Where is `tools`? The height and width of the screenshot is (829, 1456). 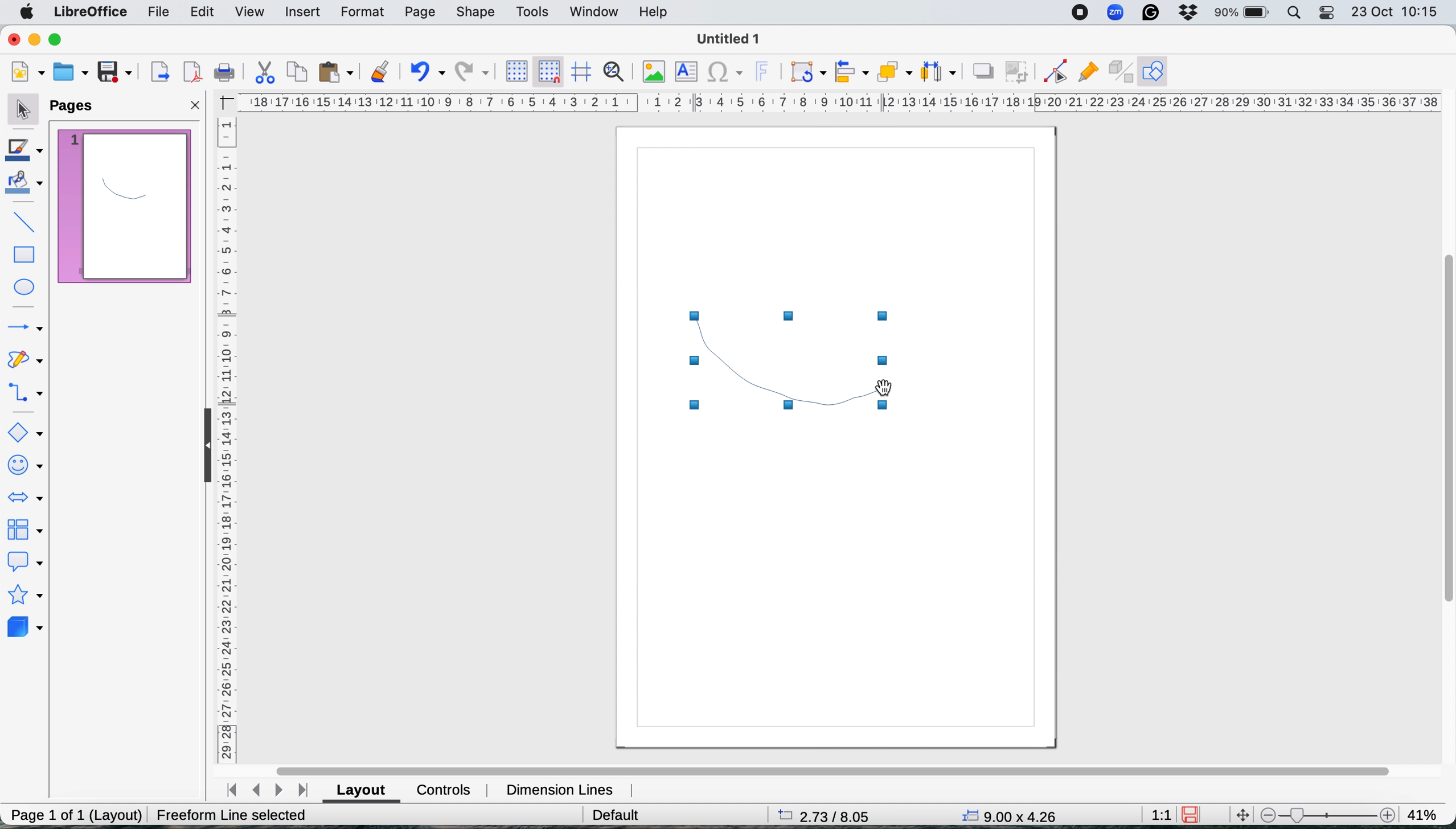 tools is located at coordinates (535, 12).